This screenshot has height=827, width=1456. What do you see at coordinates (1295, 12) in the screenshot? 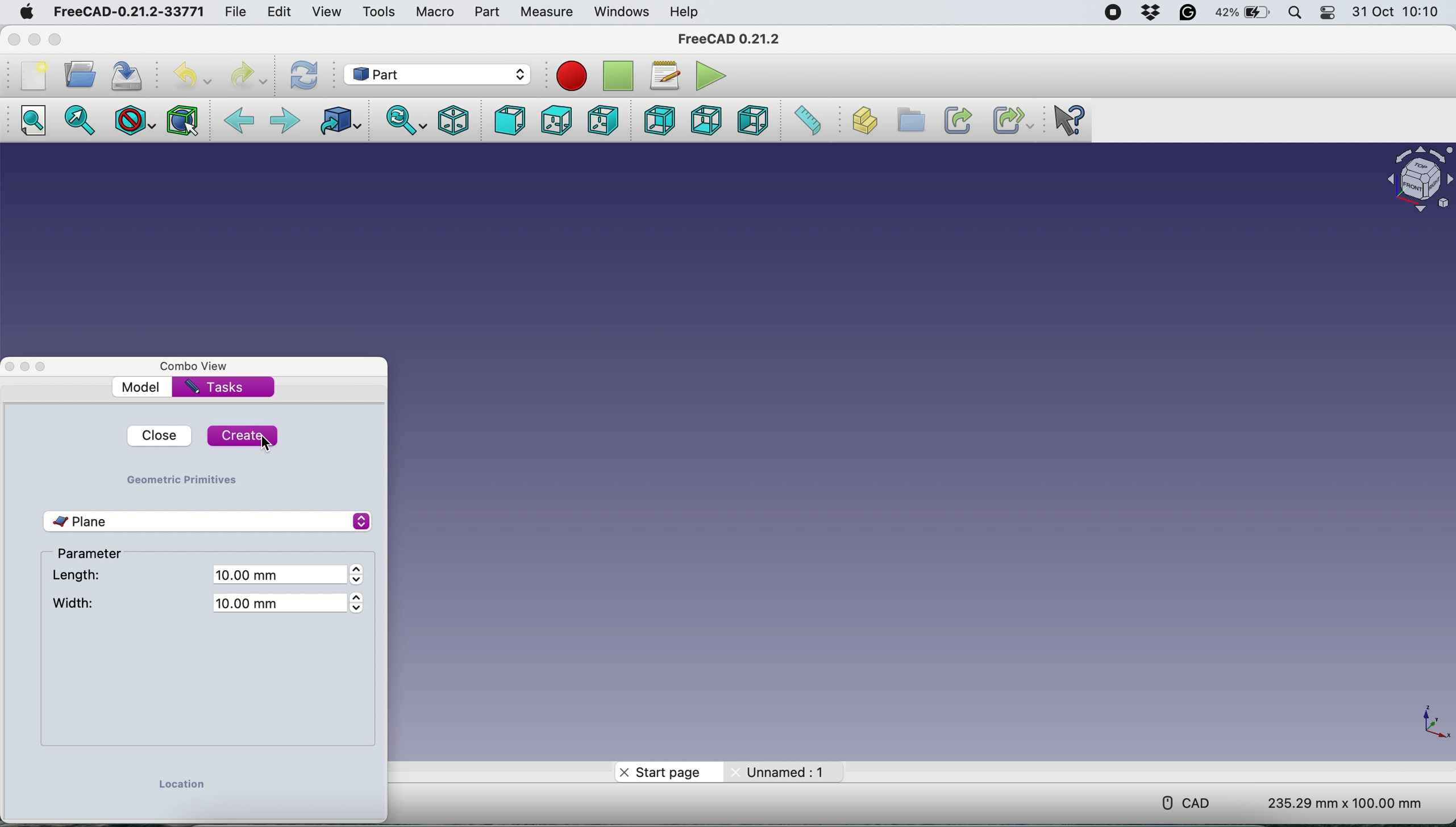
I see `Spotlight Search` at bounding box center [1295, 12].